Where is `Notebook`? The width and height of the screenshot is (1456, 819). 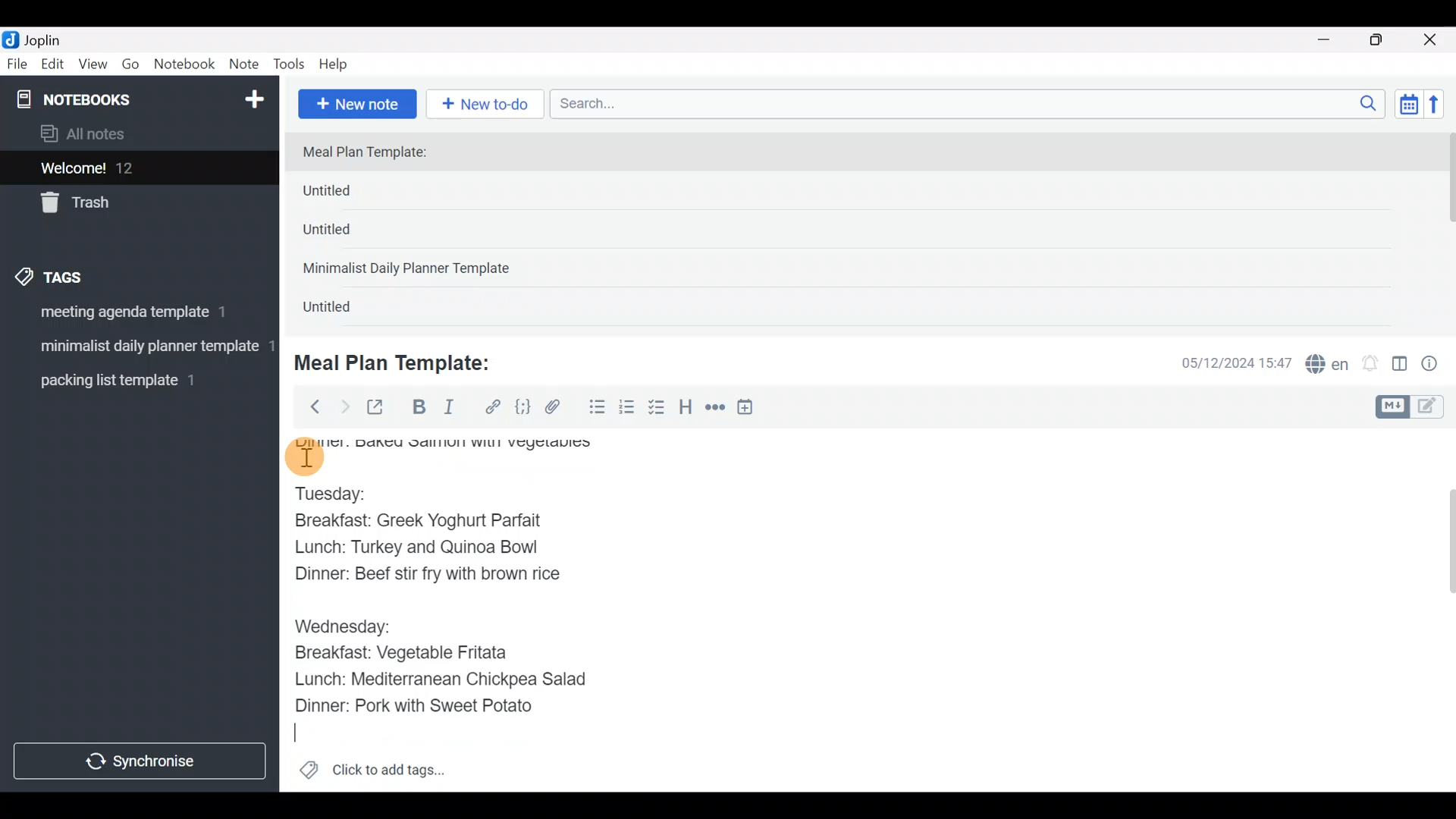 Notebook is located at coordinates (185, 64).